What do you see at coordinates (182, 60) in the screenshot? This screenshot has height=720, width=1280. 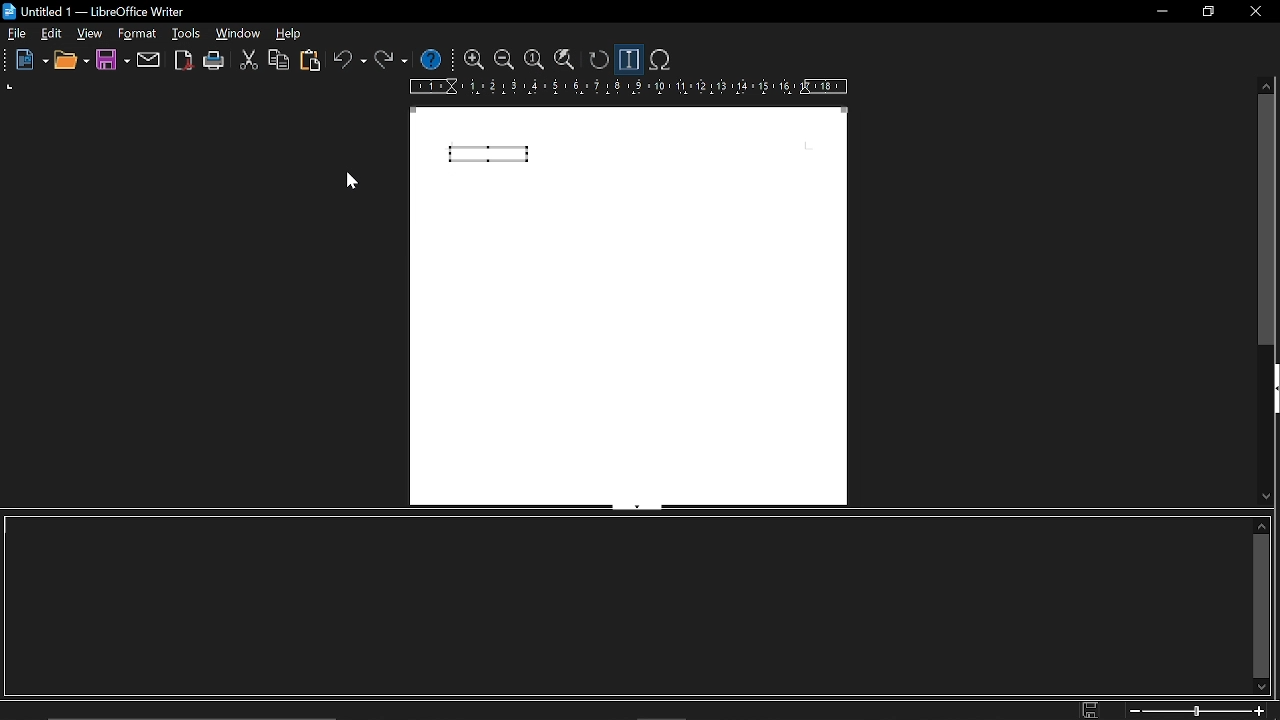 I see `export as pdf` at bounding box center [182, 60].